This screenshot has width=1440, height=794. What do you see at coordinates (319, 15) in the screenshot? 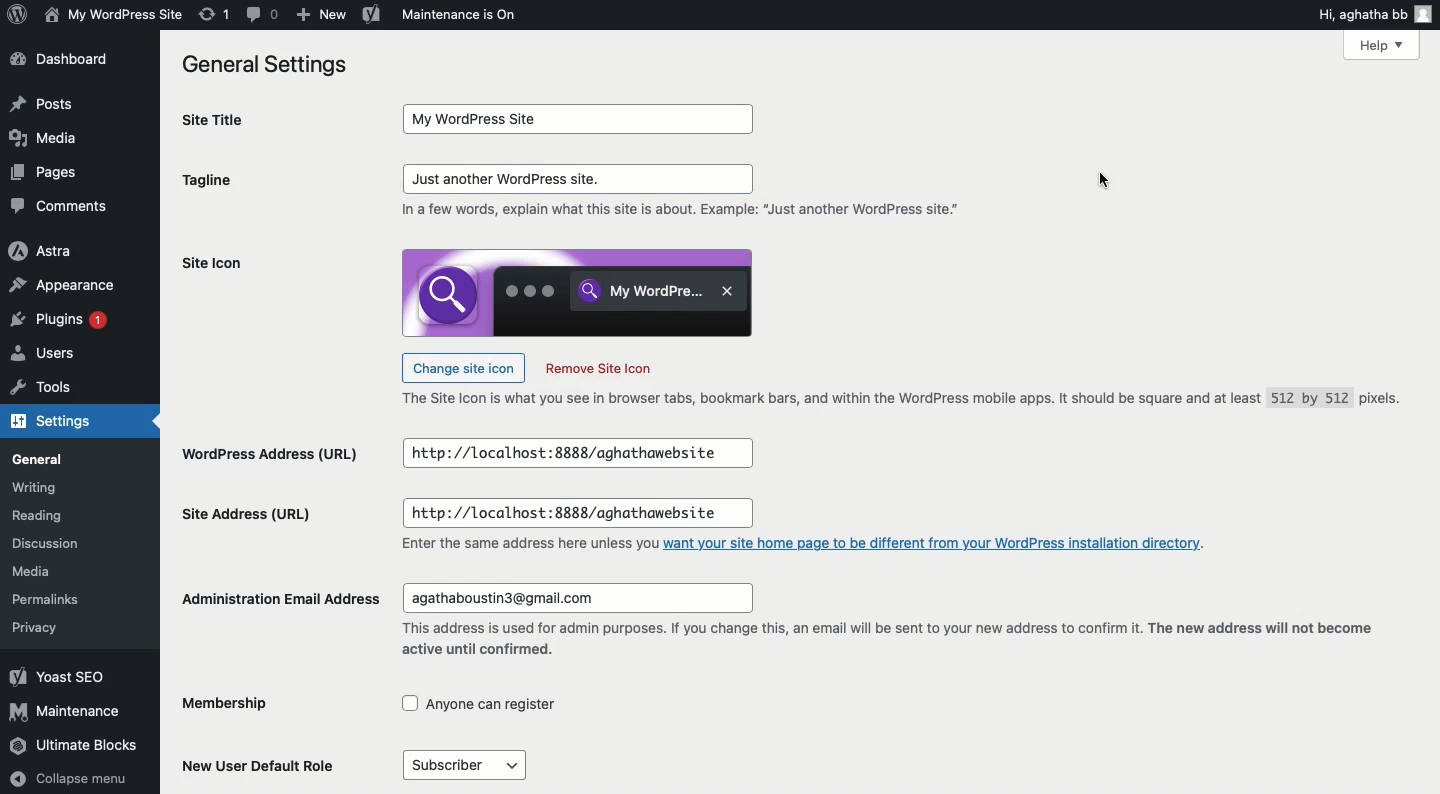
I see `New` at bounding box center [319, 15].